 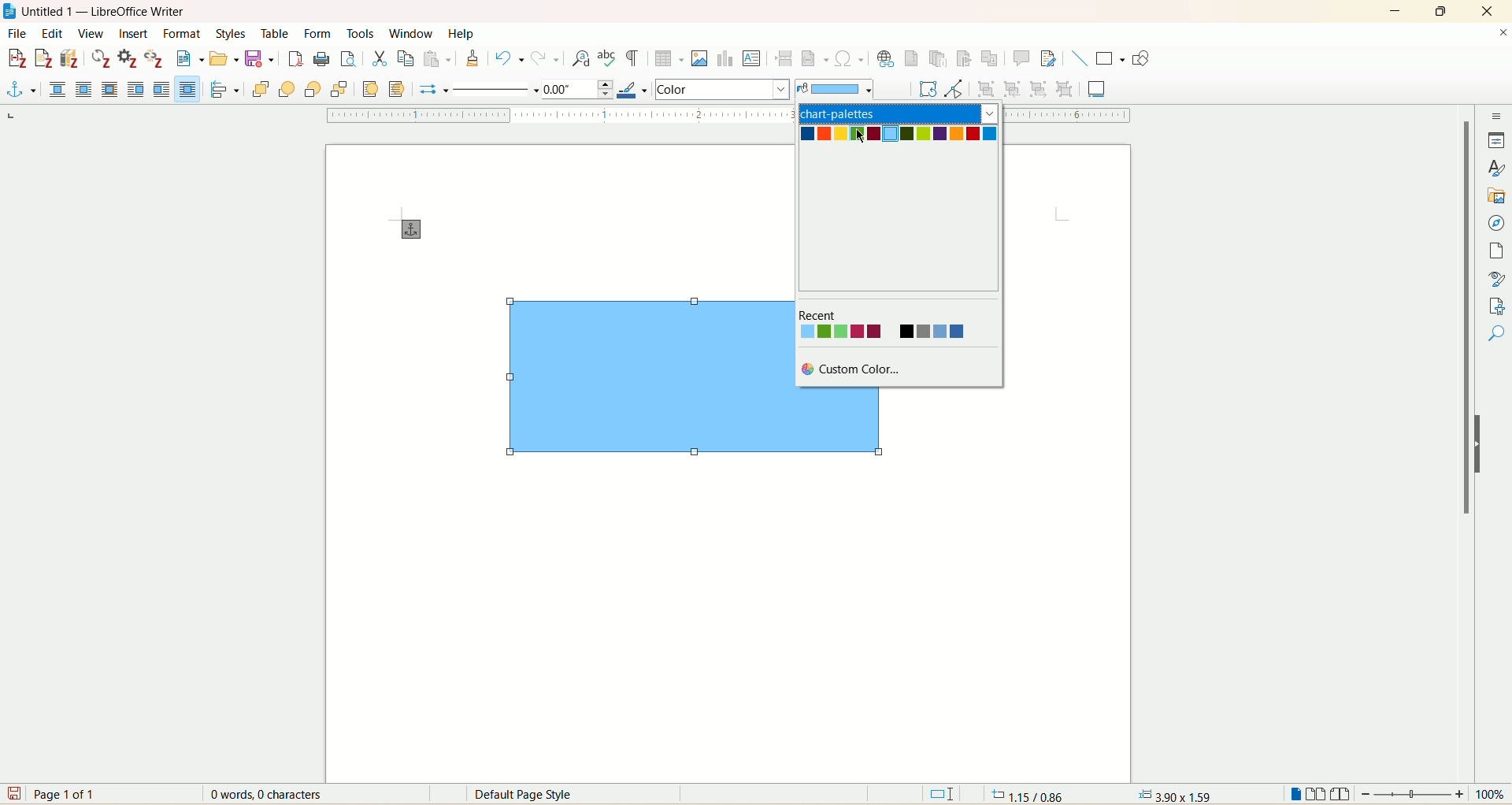 What do you see at coordinates (187, 60) in the screenshot?
I see `new` at bounding box center [187, 60].